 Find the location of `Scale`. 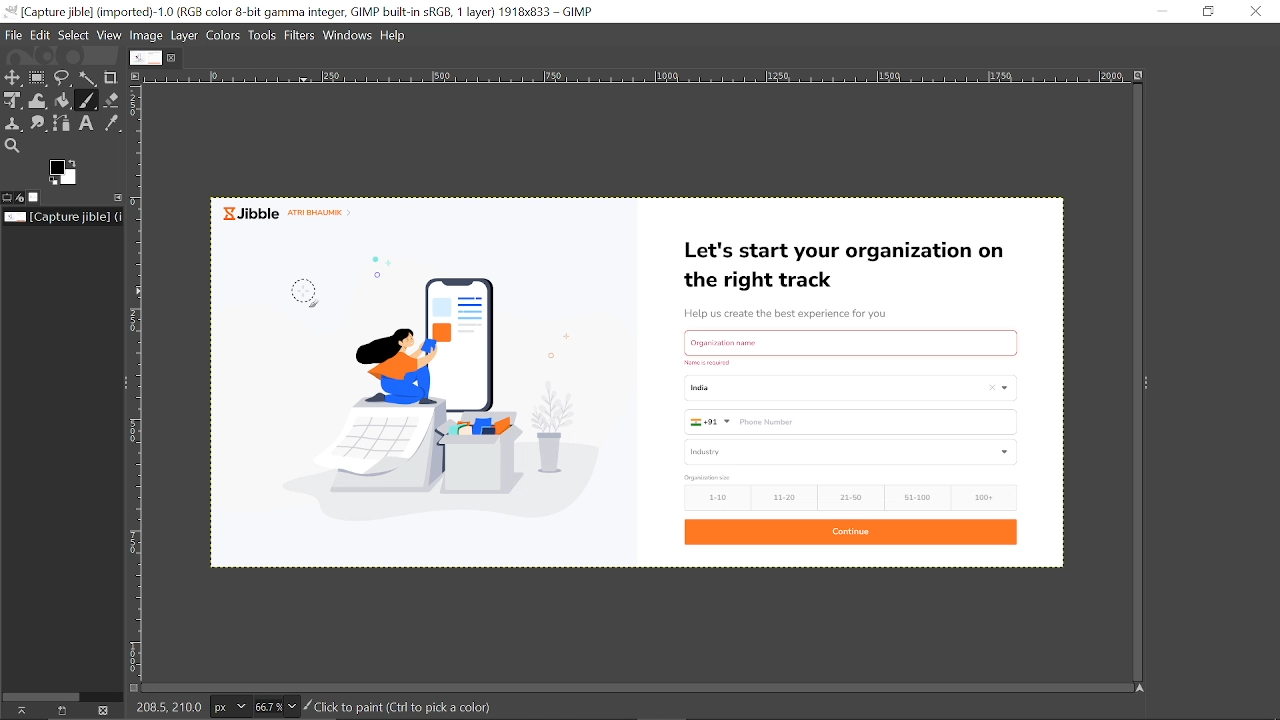

Scale is located at coordinates (141, 390).